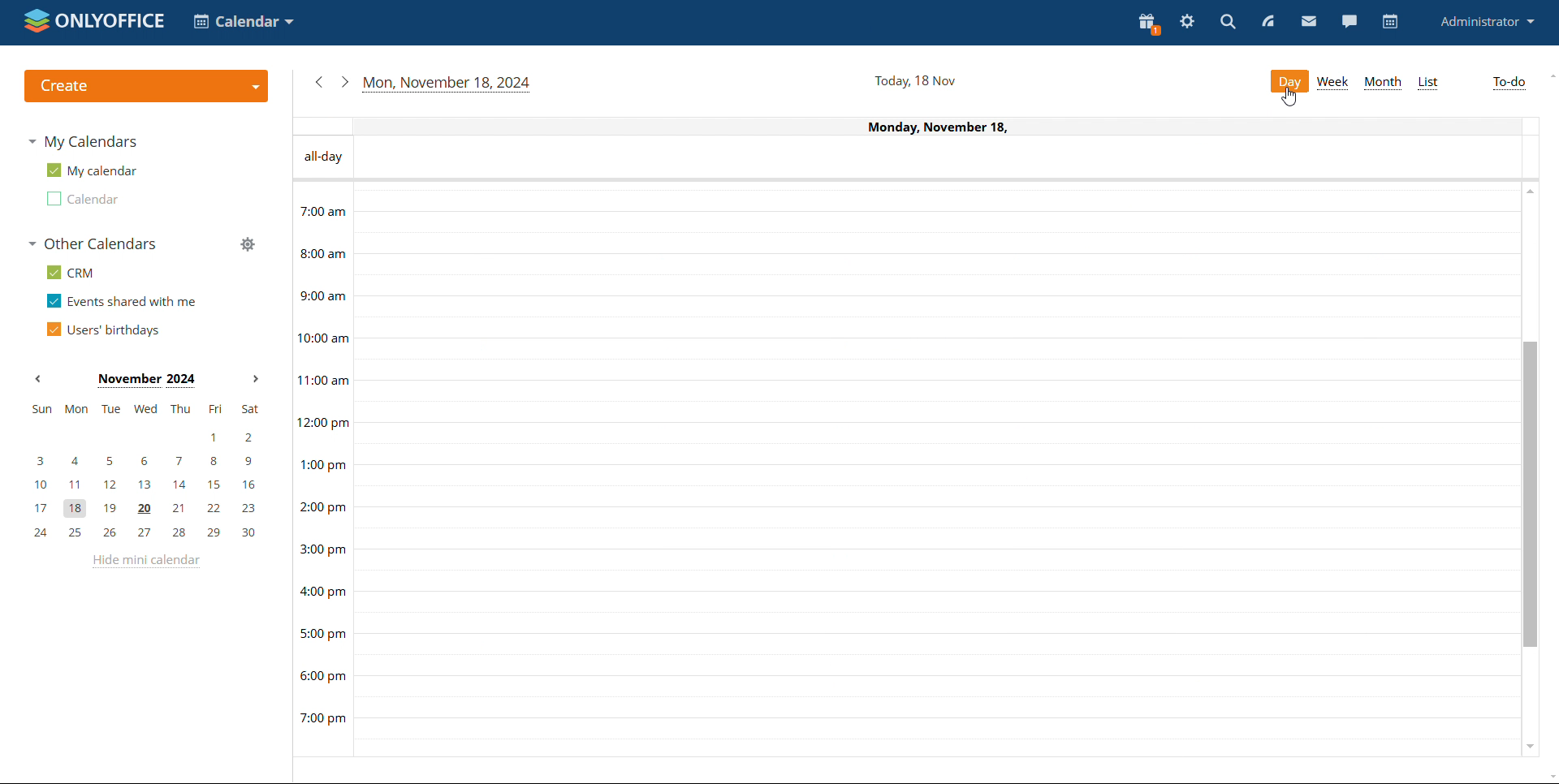  Describe the element at coordinates (145, 380) in the screenshot. I see `month on display` at that location.